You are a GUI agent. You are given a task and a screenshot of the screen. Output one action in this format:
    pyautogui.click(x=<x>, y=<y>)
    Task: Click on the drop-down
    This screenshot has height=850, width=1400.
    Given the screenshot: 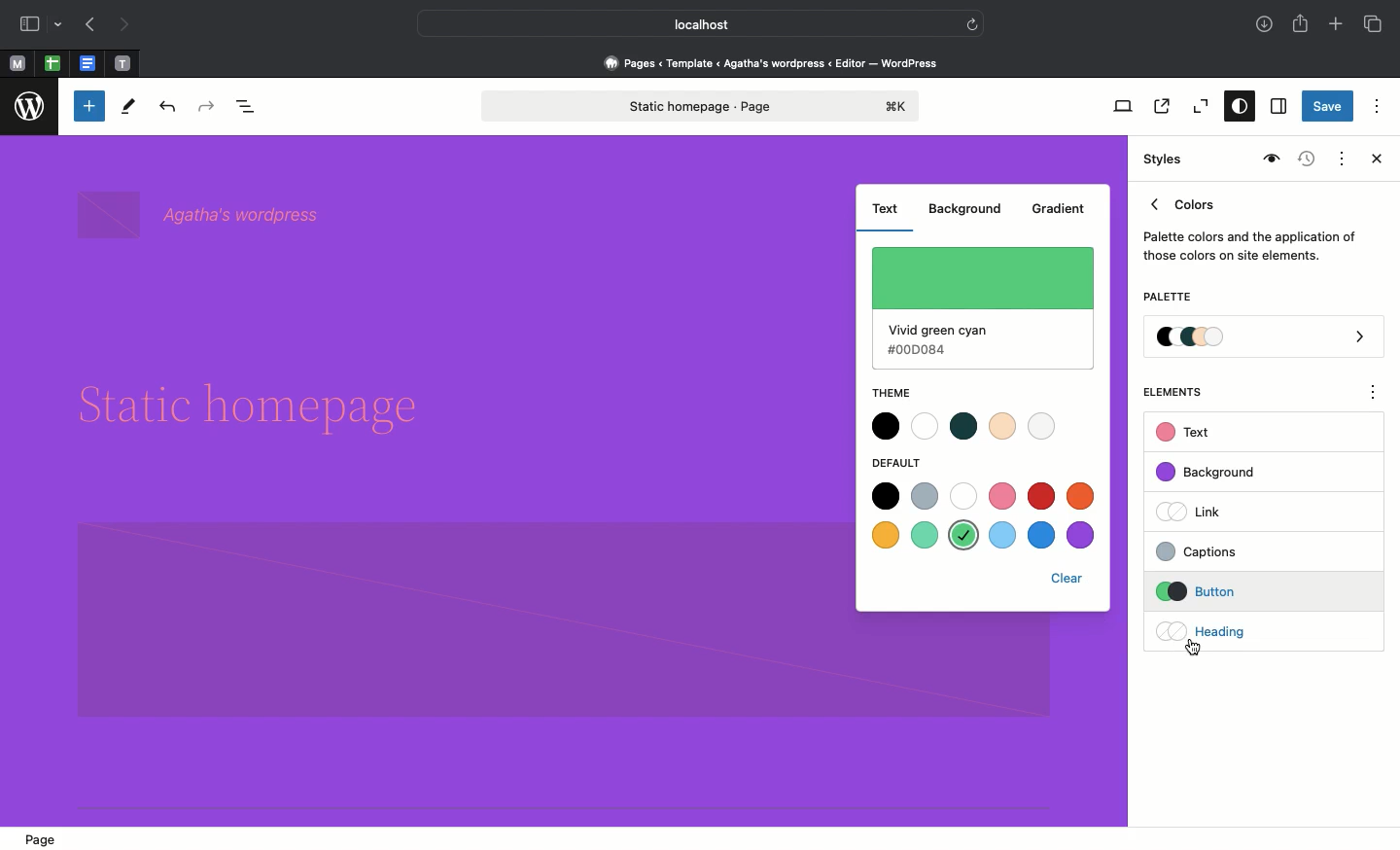 What is the action you would take?
    pyautogui.click(x=61, y=25)
    